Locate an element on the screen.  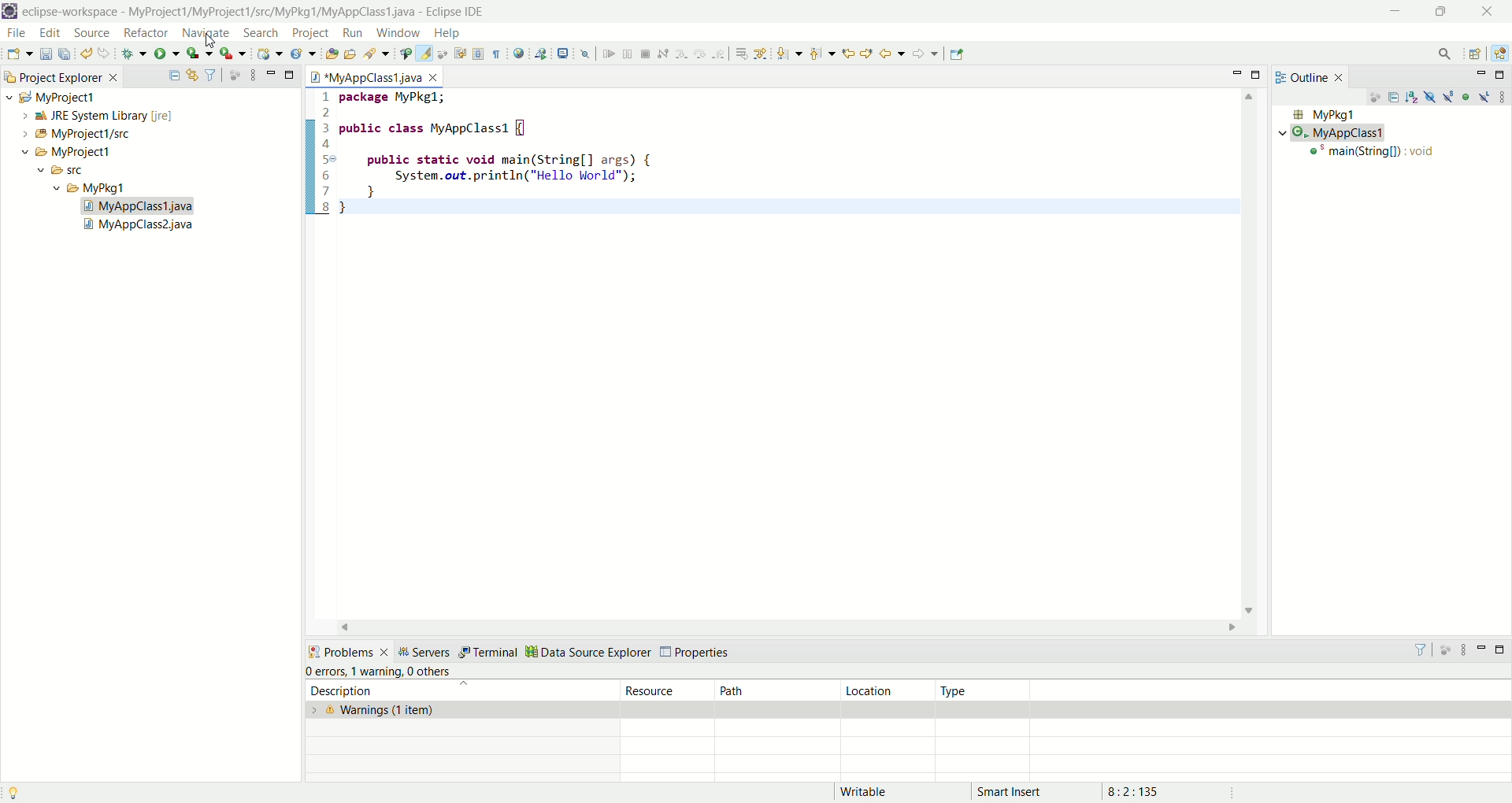
project1/src is located at coordinates (69, 134).